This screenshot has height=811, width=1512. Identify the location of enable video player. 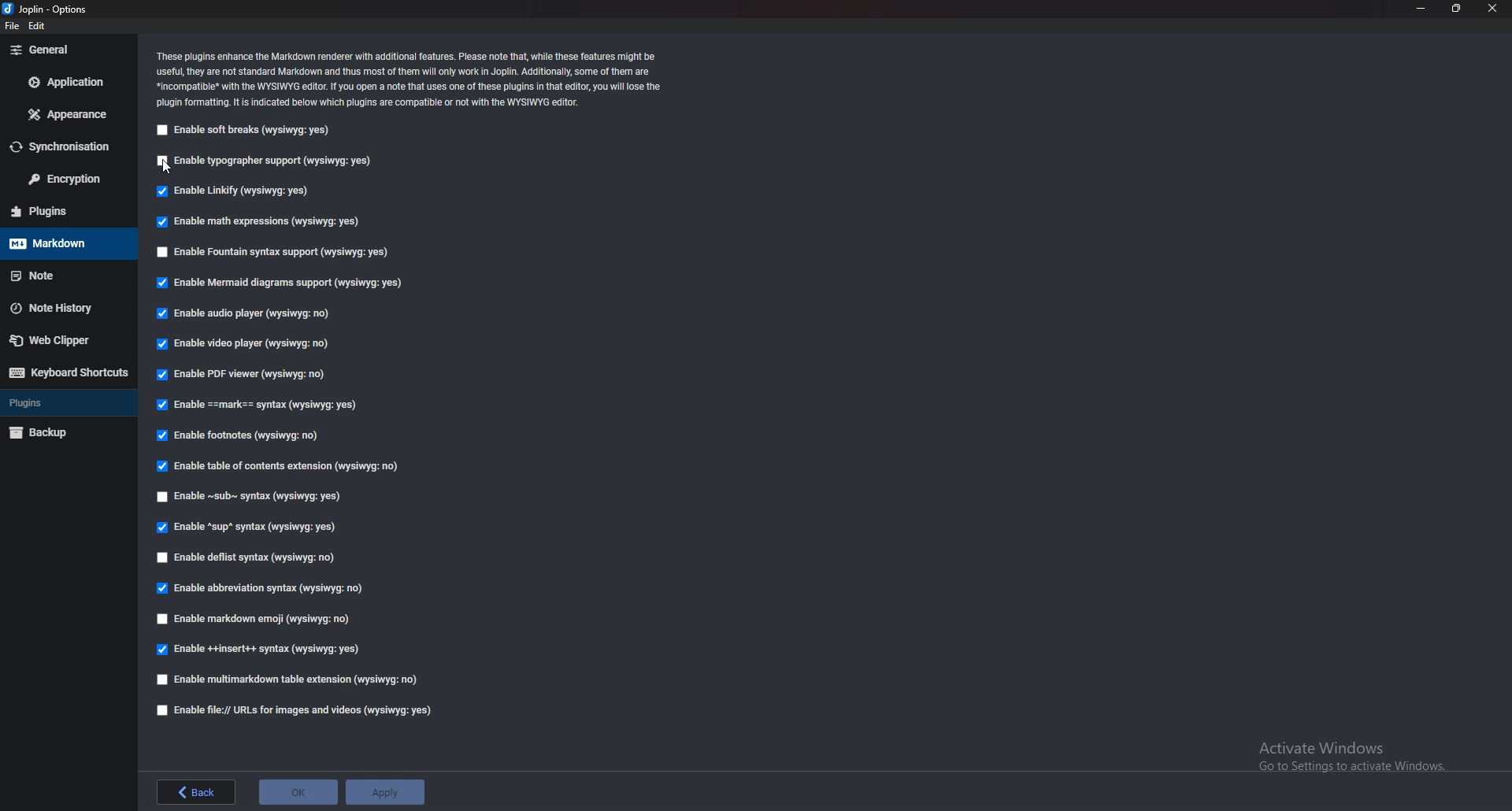
(244, 346).